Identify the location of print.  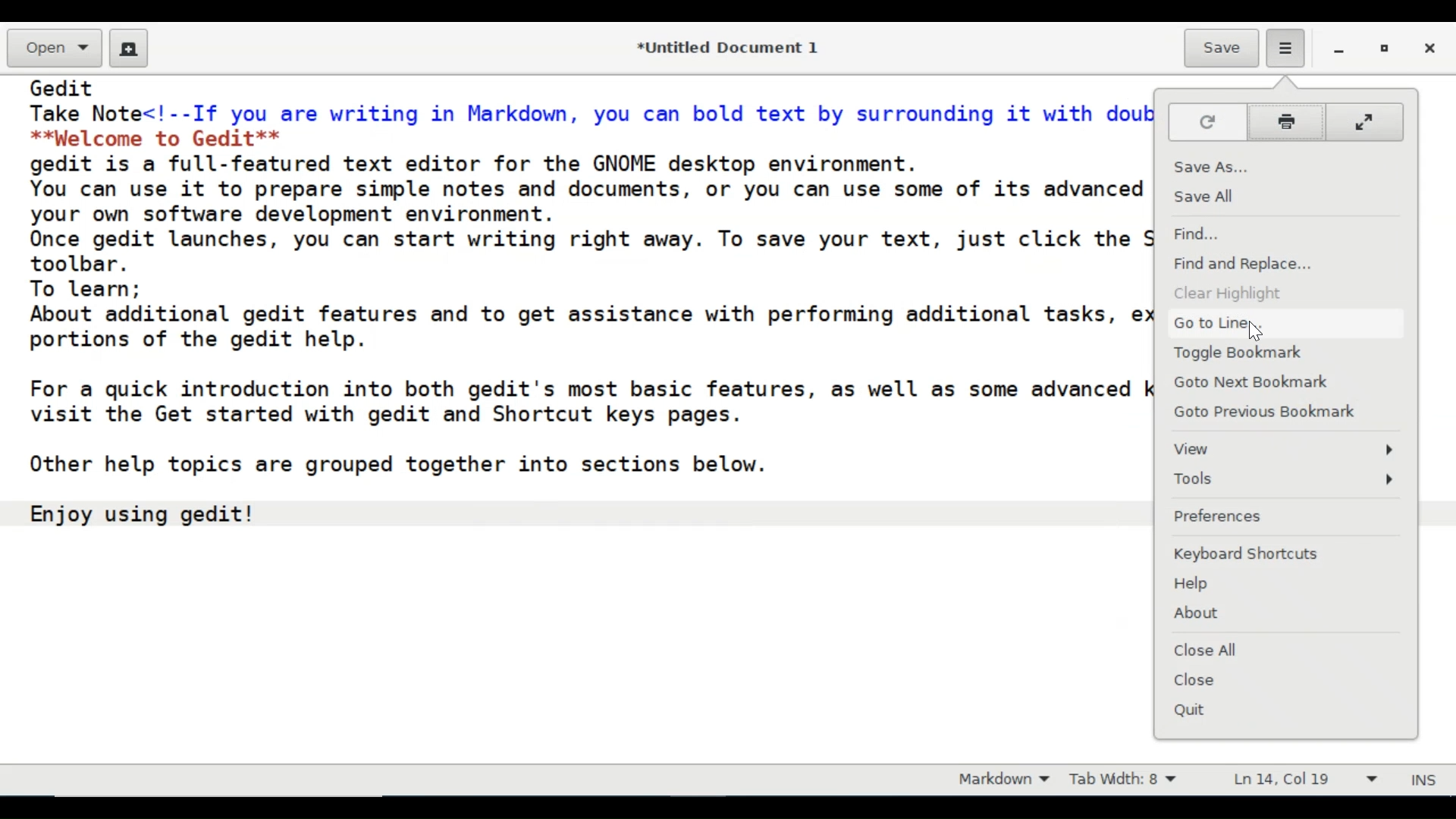
(1285, 123).